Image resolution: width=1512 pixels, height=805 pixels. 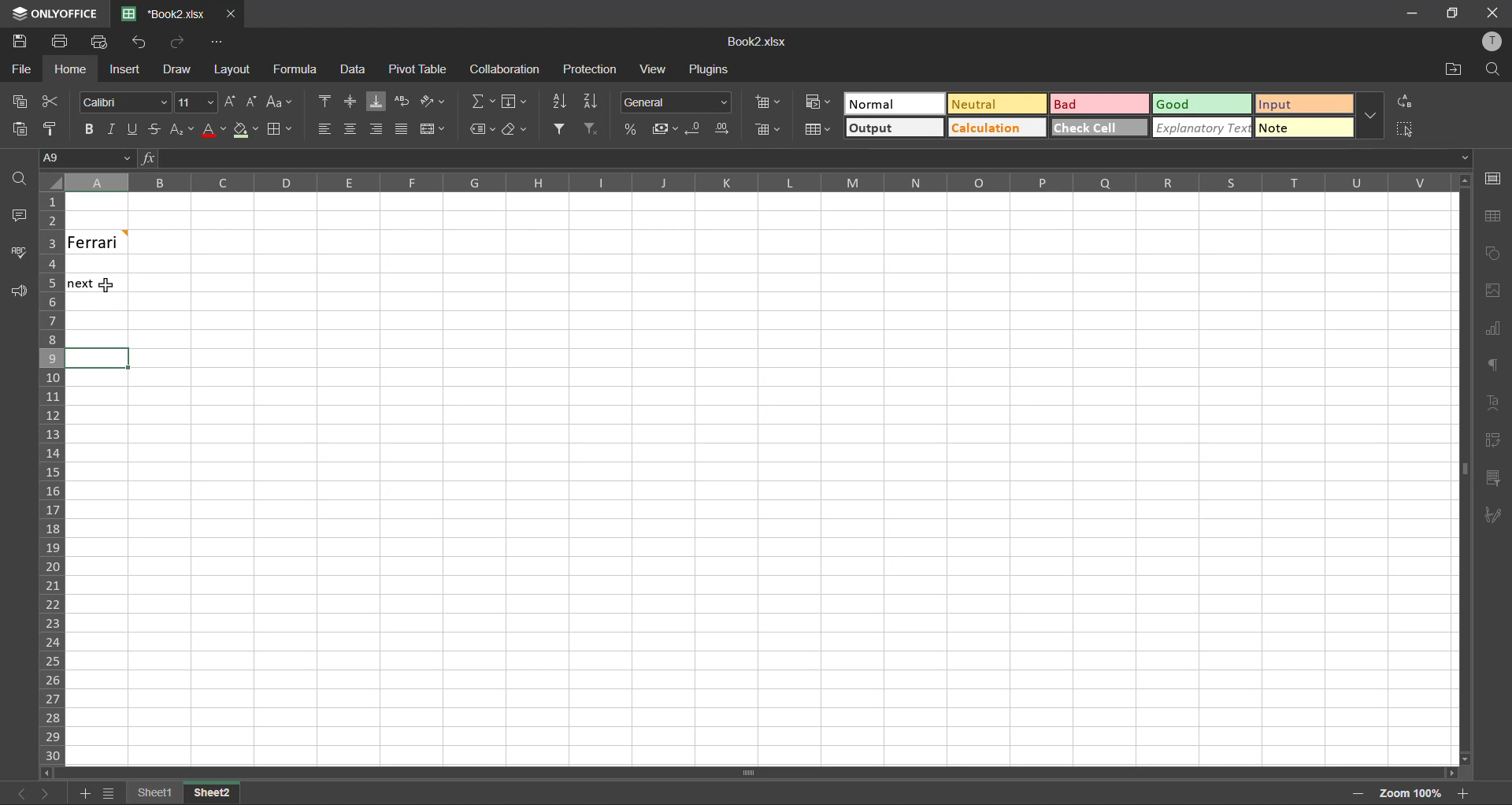 I want to click on print, so click(x=61, y=41).